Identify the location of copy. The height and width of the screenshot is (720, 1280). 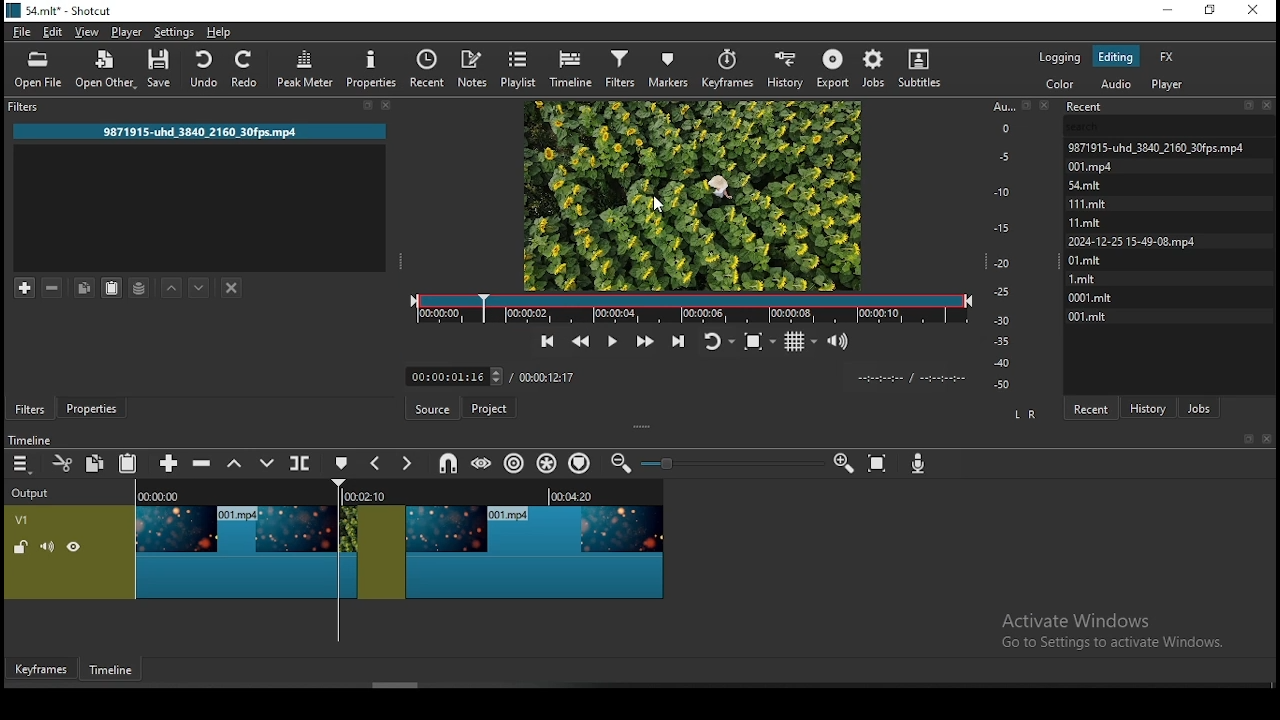
(95, 462).